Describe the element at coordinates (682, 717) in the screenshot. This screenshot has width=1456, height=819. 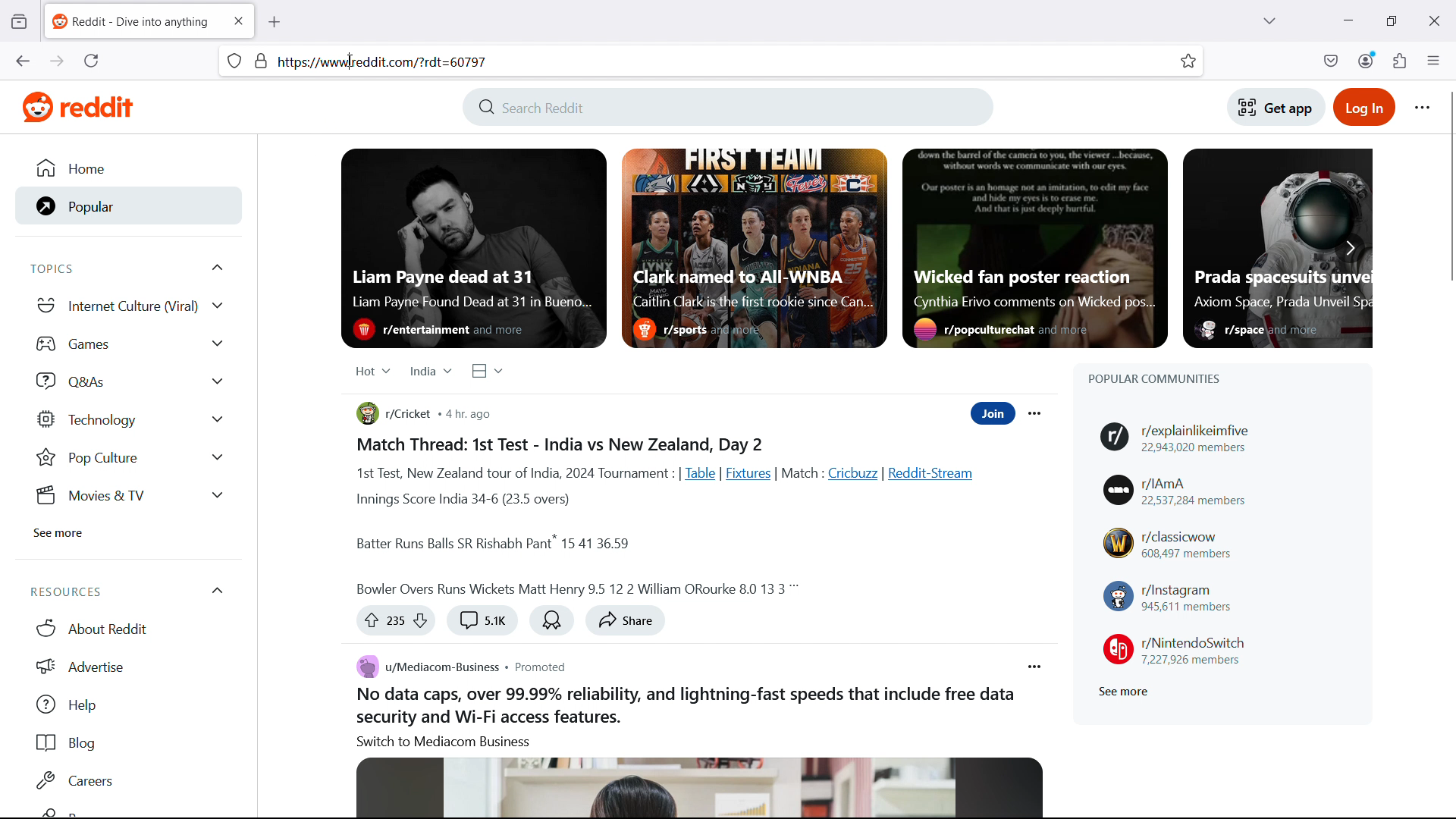
I see `Body of the post` at that location.